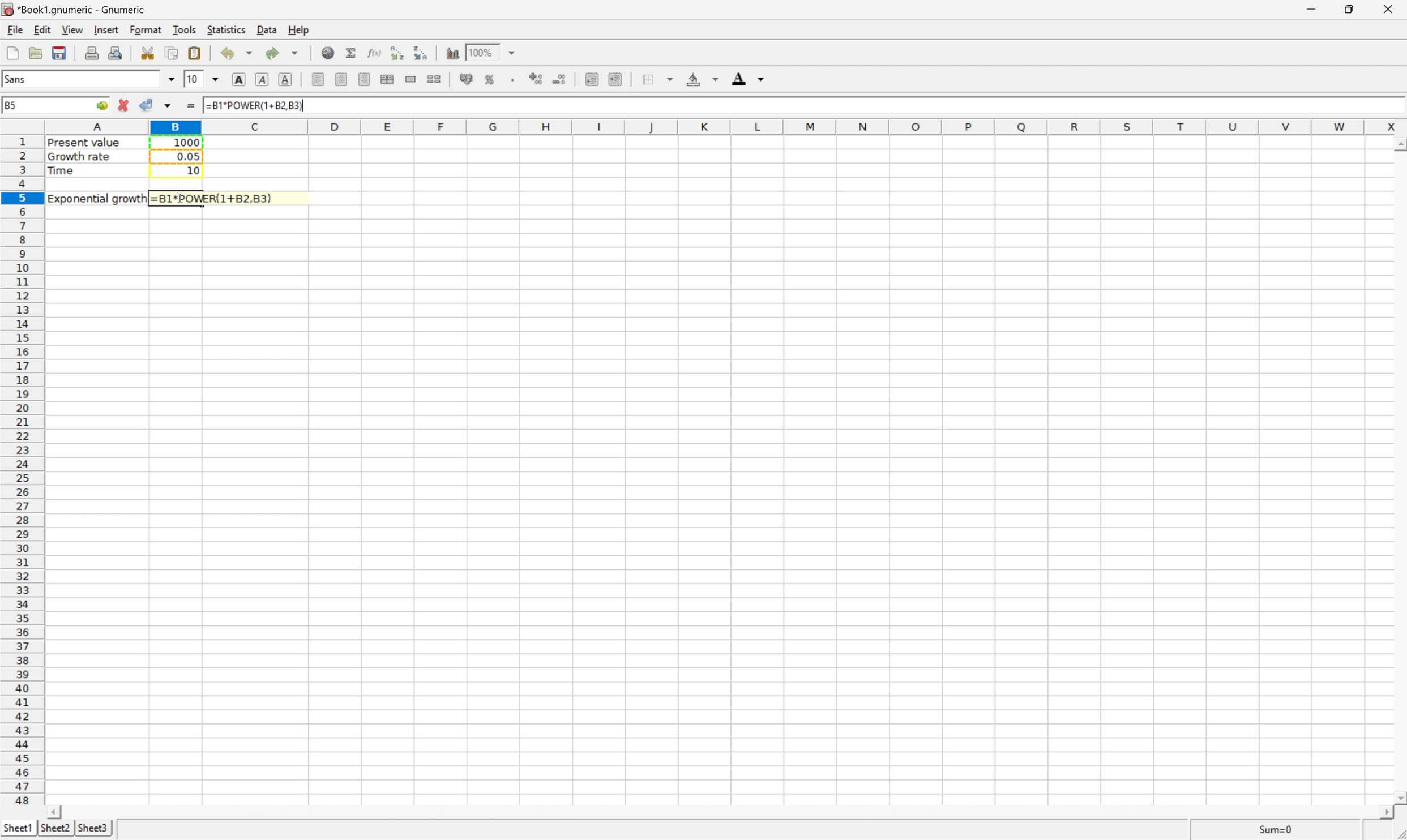  What do you see at coordinates (57, 811) in the screenshot?
I see `Scroll Left` at bounding box center [57, 811].